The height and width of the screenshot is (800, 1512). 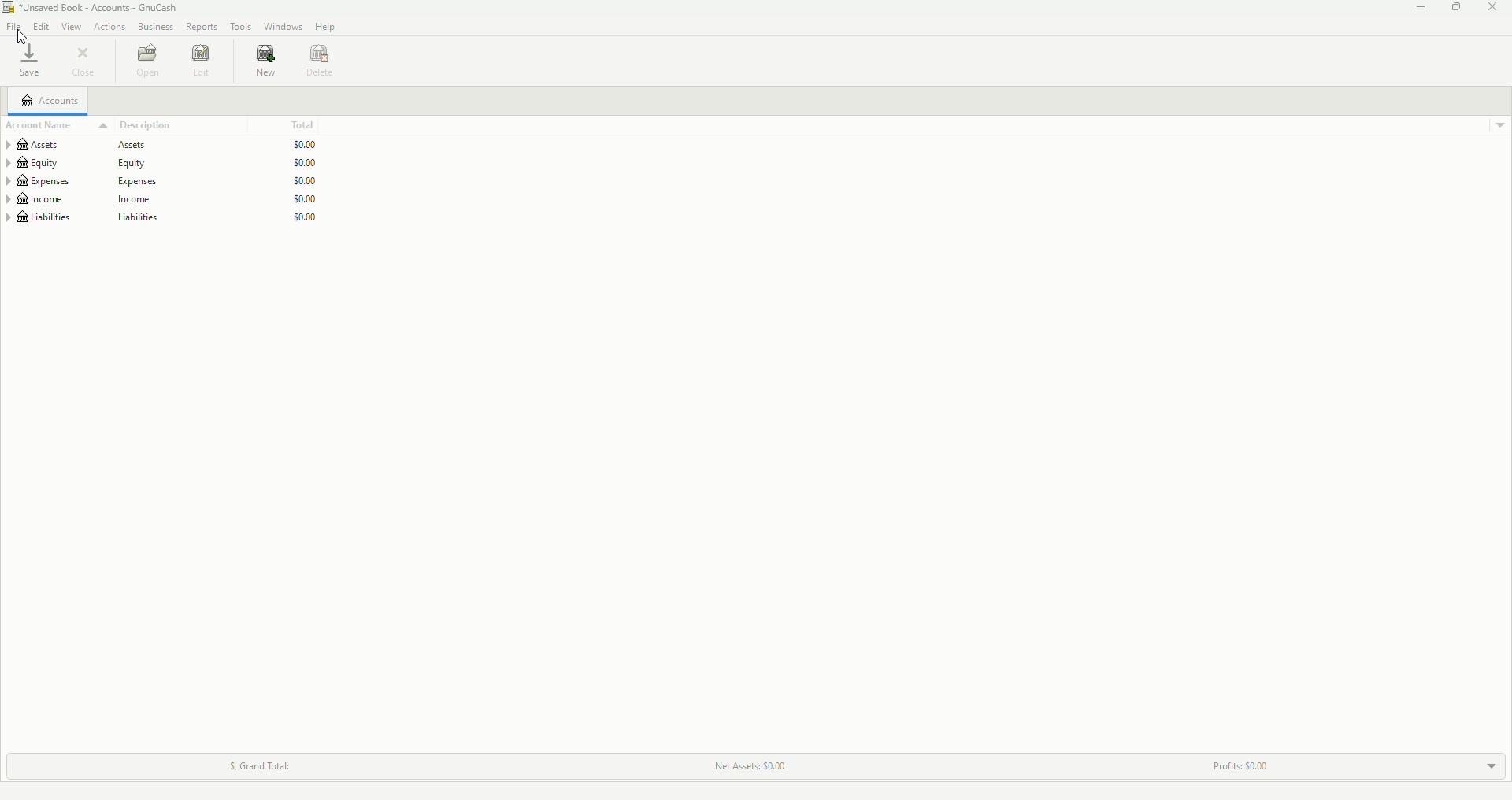 I want to click on Restore, so click(x=1455, y=8).